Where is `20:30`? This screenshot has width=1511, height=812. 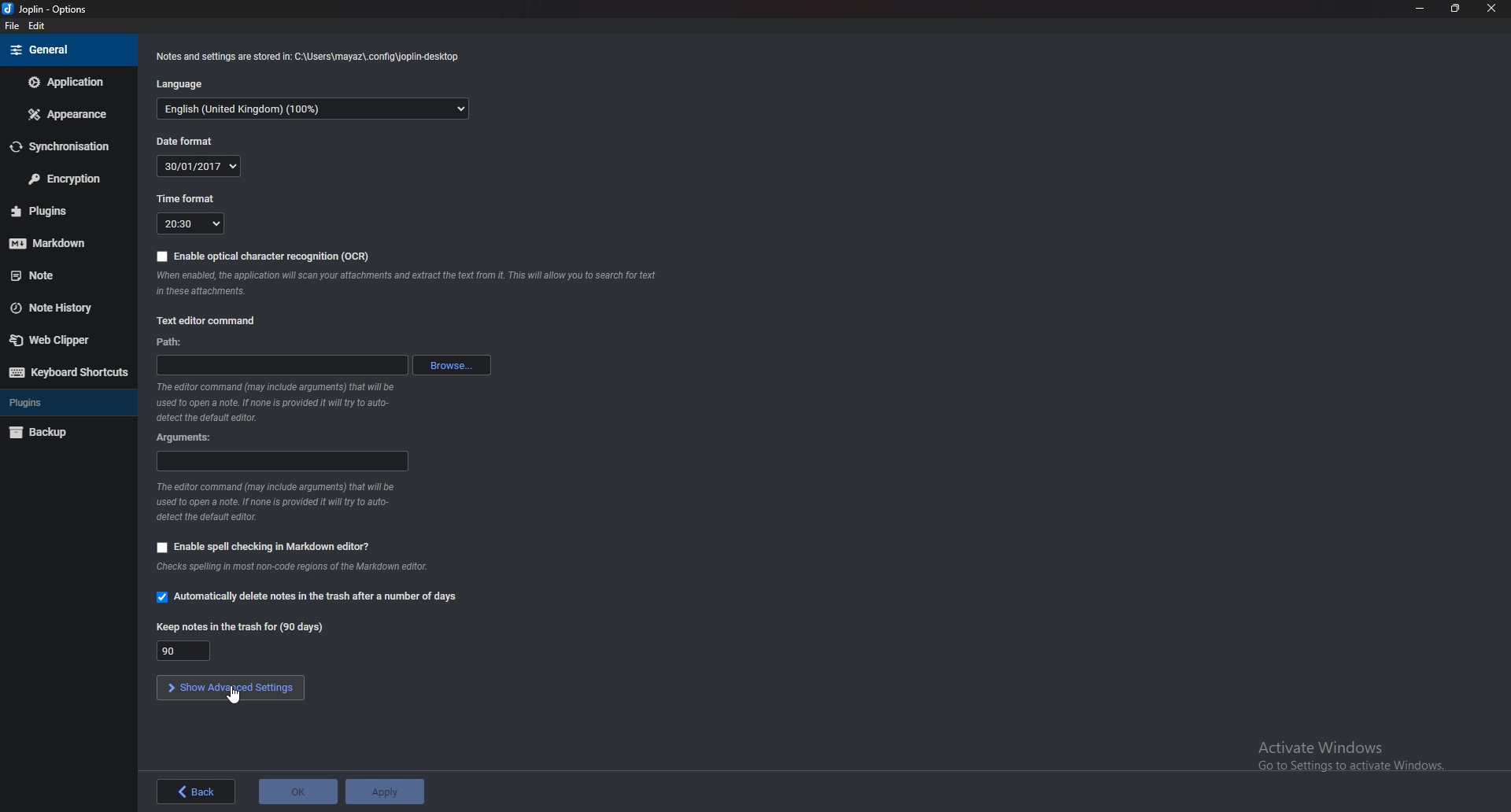 20:30 is located at coordinates (191, 224).